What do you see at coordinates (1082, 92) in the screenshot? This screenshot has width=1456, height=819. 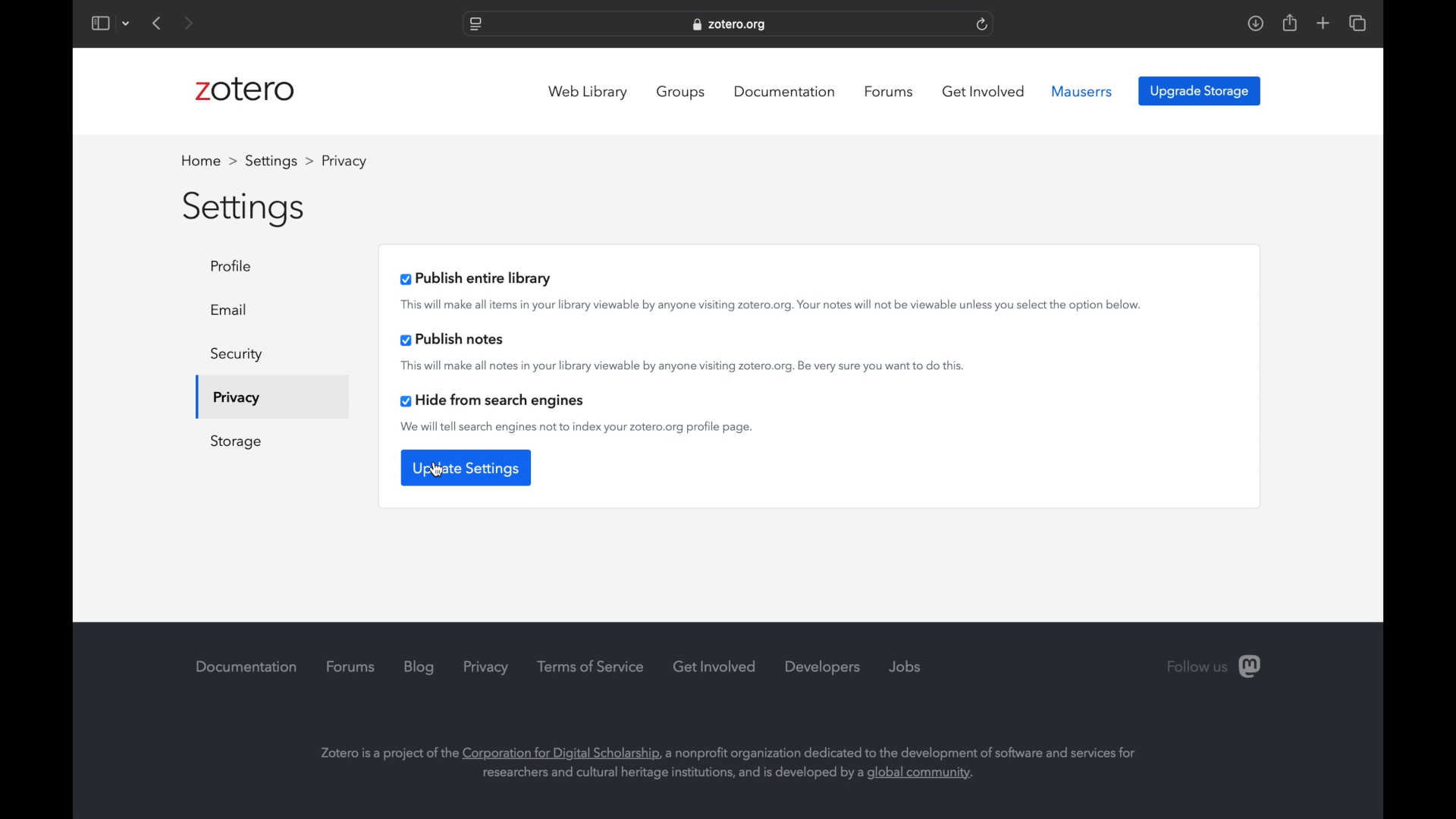 I see `mauserrs` at bounding box center [1082, 92].